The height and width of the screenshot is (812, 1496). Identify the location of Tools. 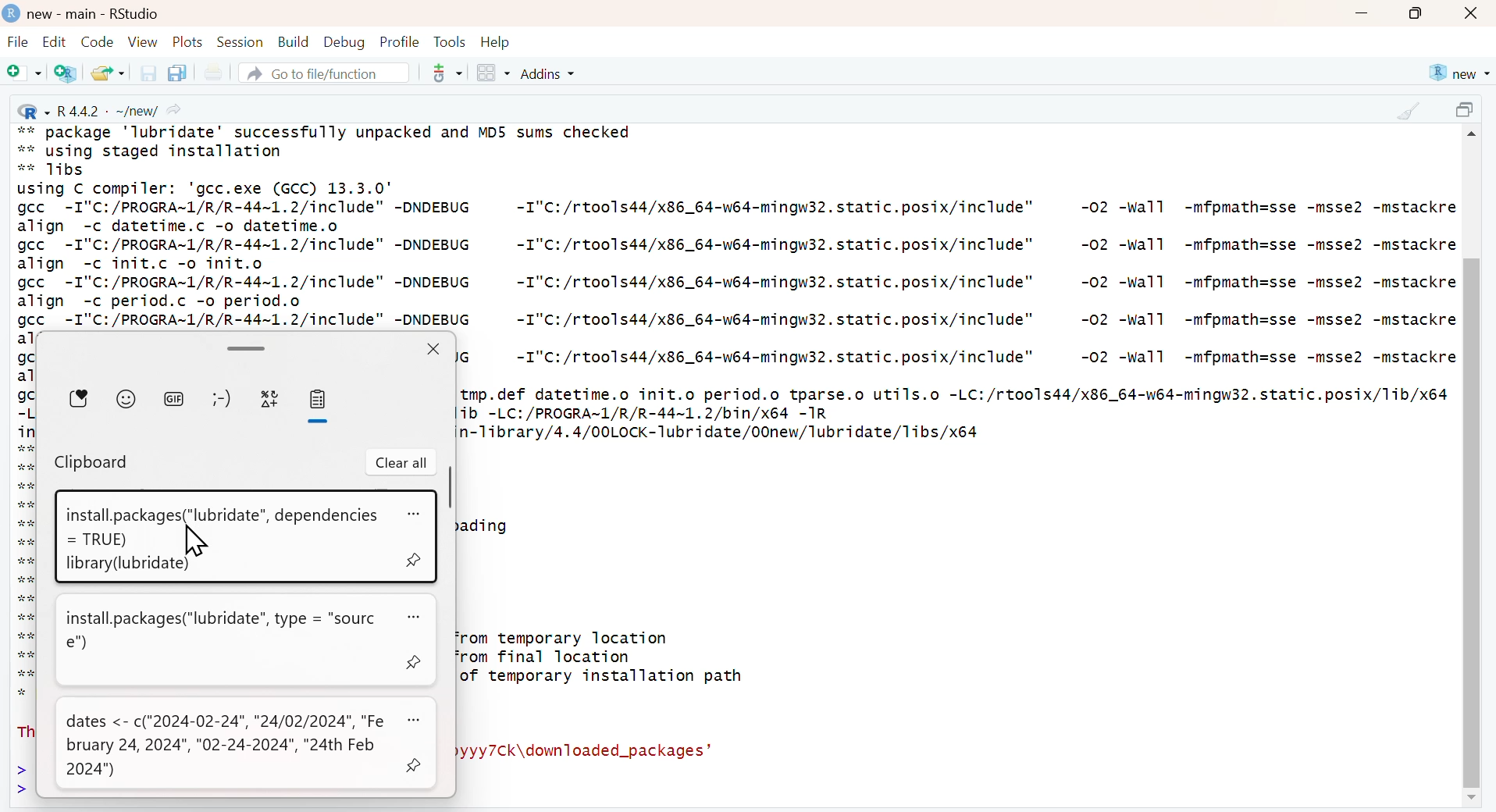
(450, 41).